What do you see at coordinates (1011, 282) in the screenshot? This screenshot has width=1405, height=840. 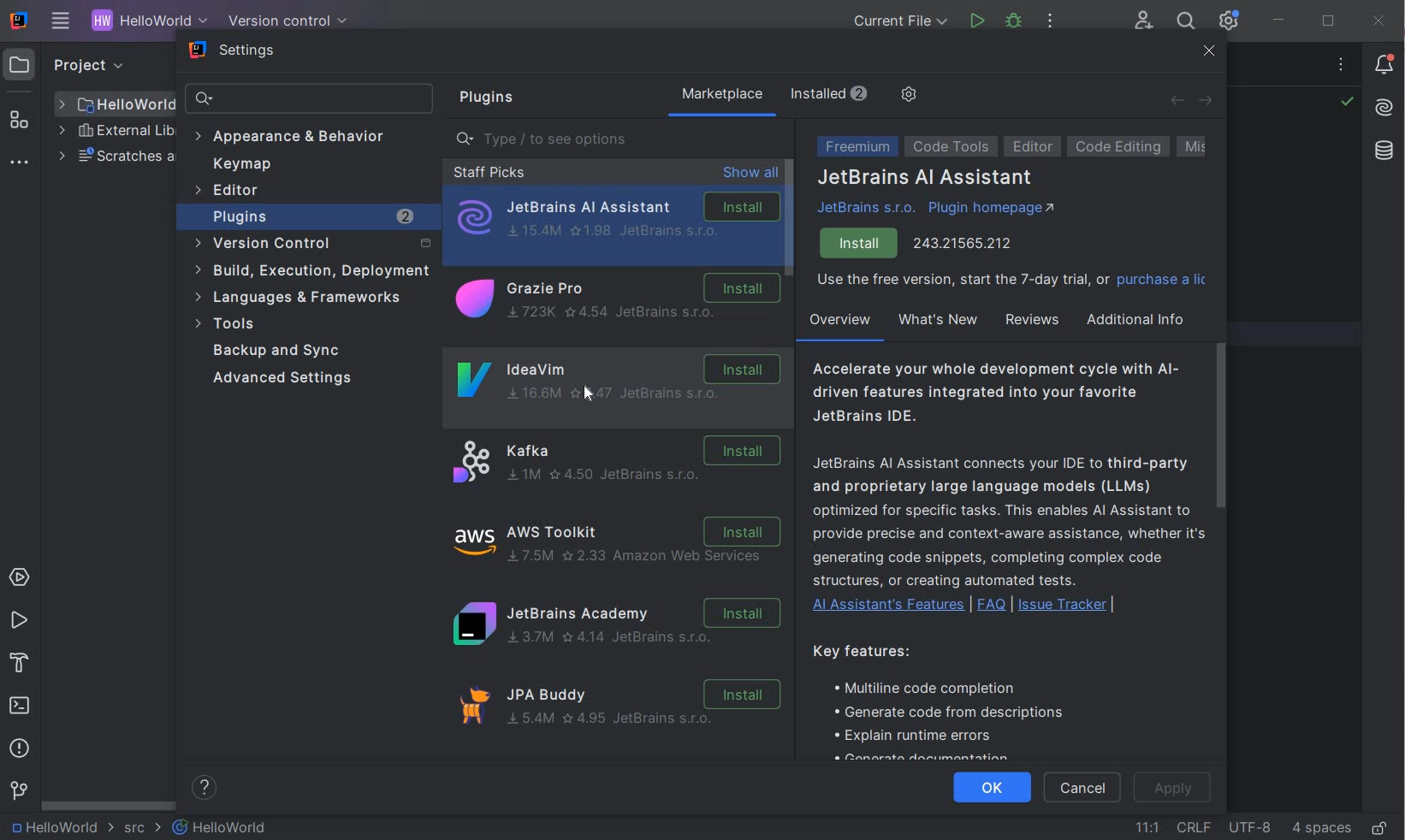 I see `use the free version, start 7-day trial` at bounding box center [1011, 282].